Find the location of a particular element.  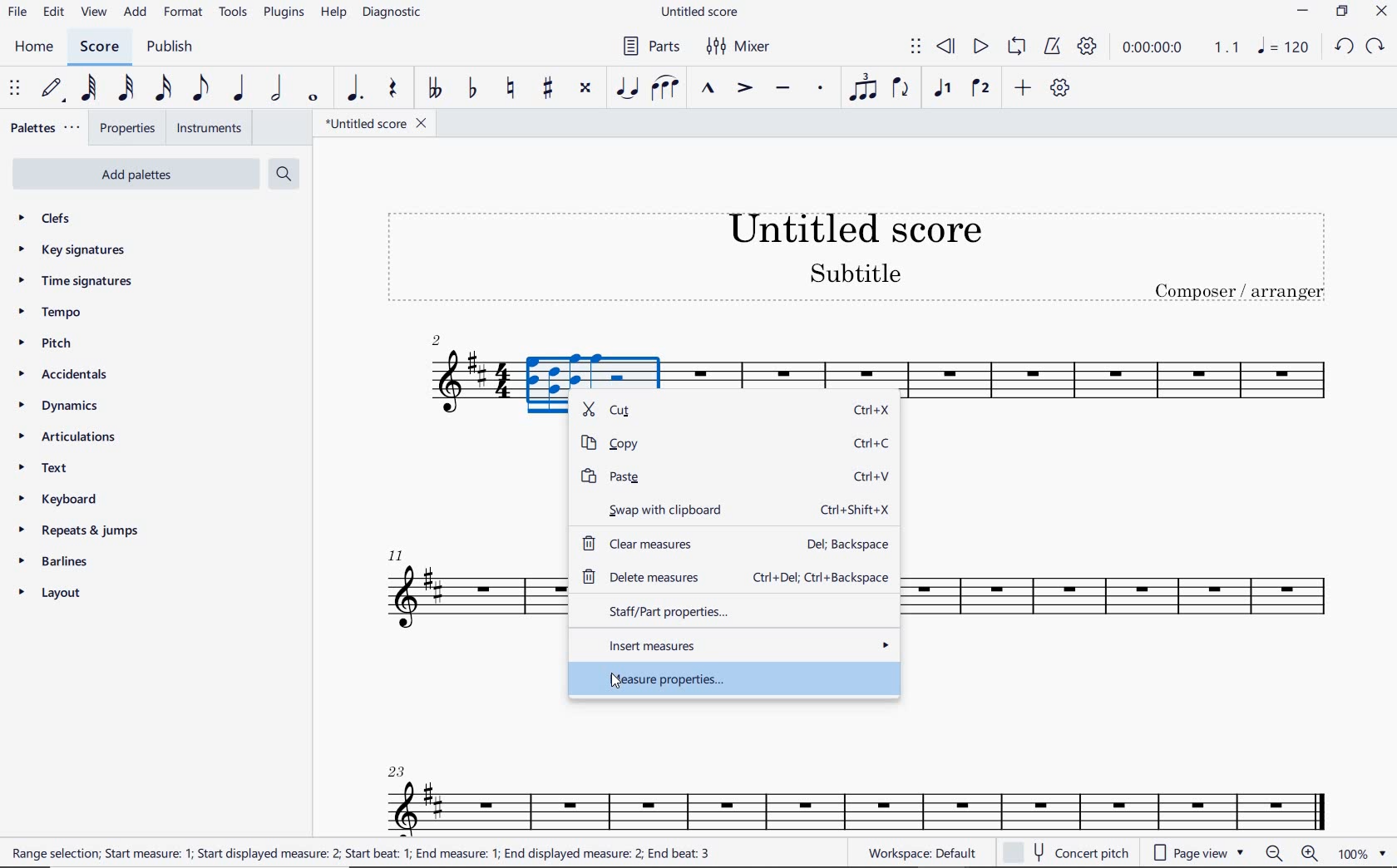

RESTORE DOWN is located at coordinates (1342, 13).